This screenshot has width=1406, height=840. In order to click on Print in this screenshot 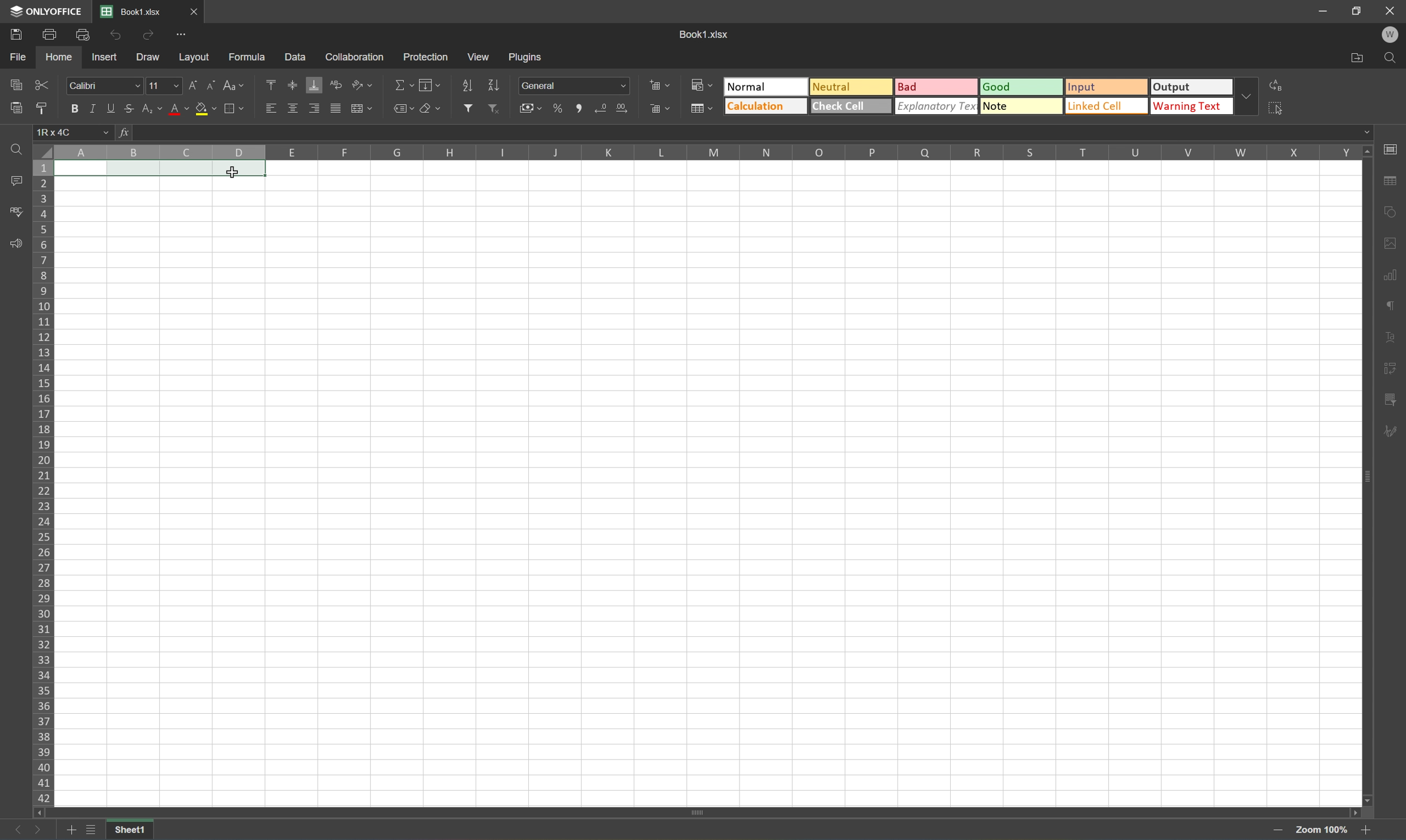, I will do `click(48, 36)`.